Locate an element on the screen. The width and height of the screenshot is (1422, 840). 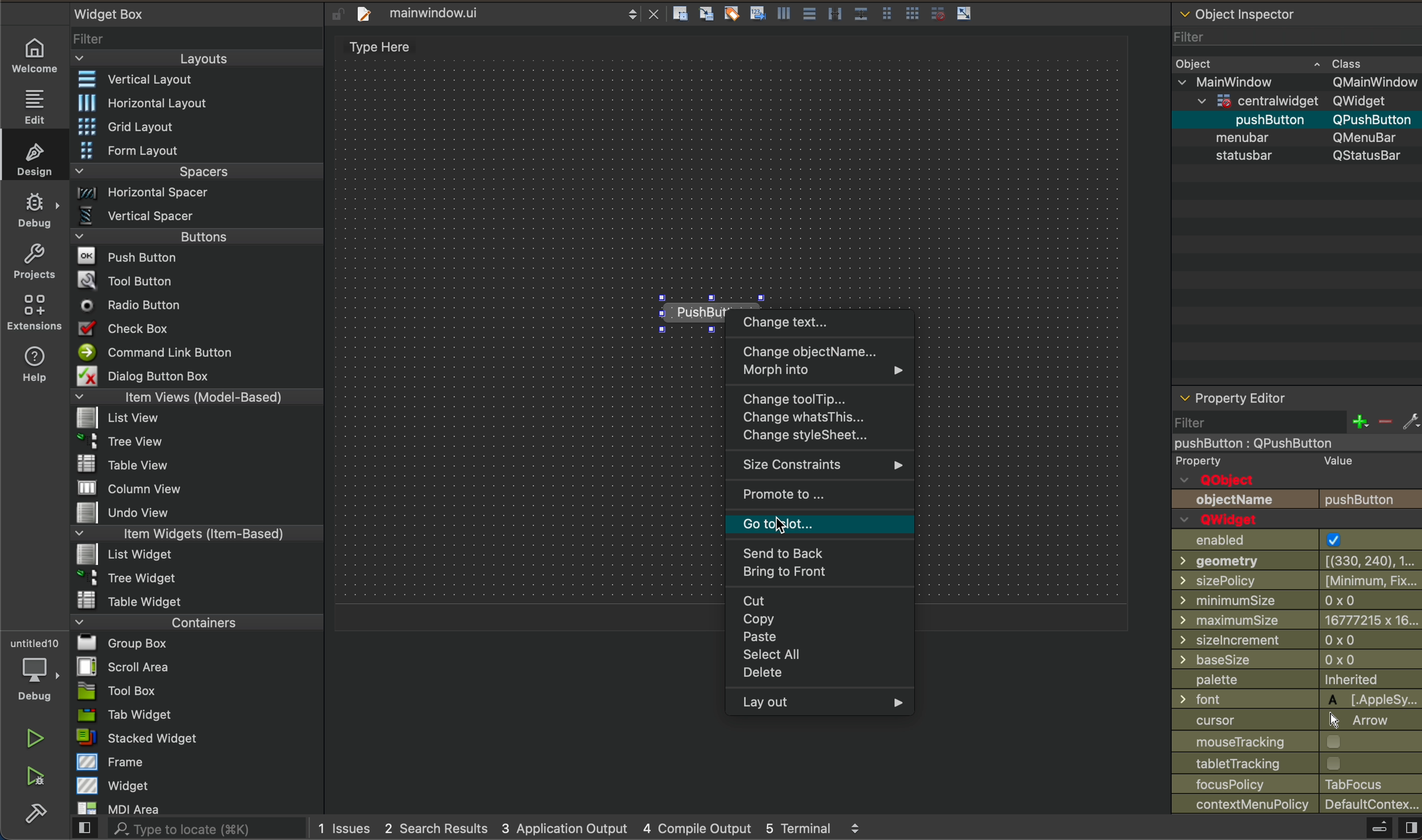
focus is located at coordinates (1296, 784).